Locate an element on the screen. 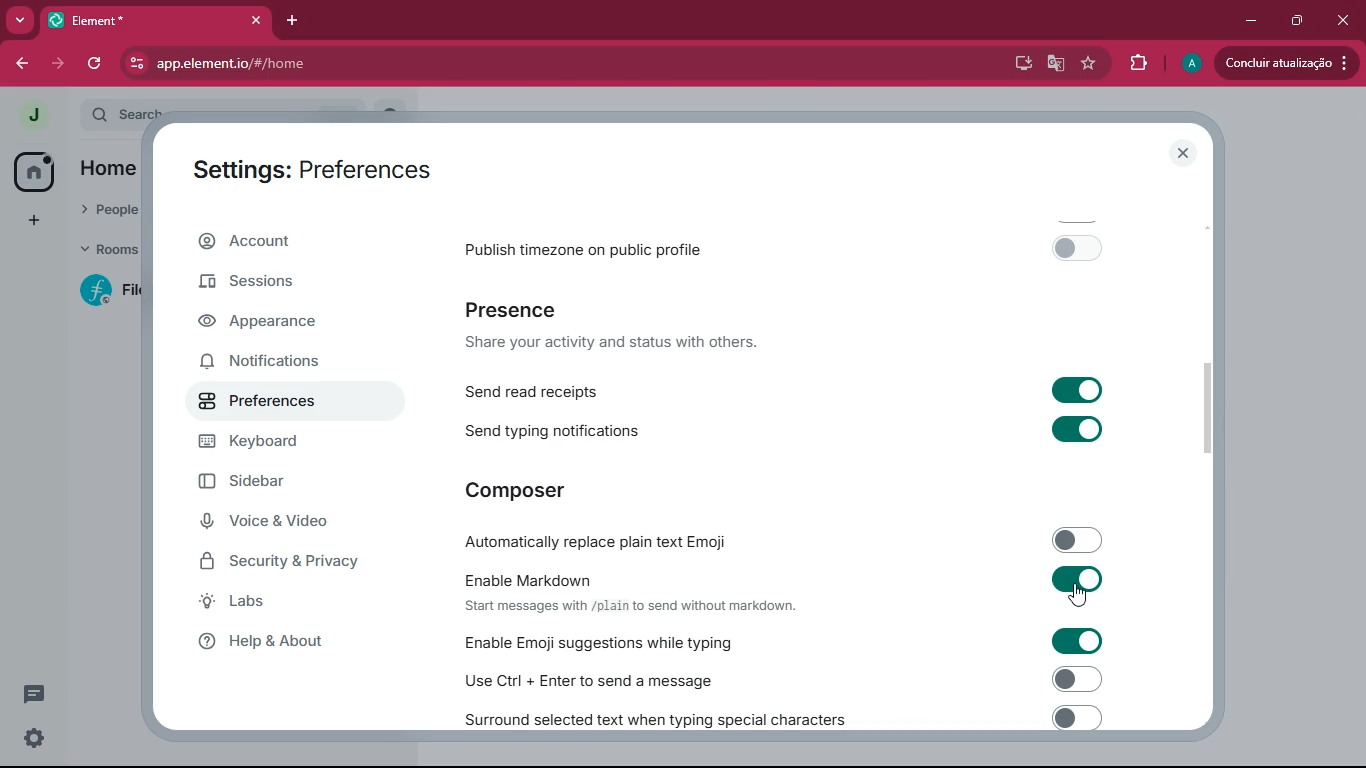 This screenshot has height=768, width=1366. comments is located at coordinates (30, 694).